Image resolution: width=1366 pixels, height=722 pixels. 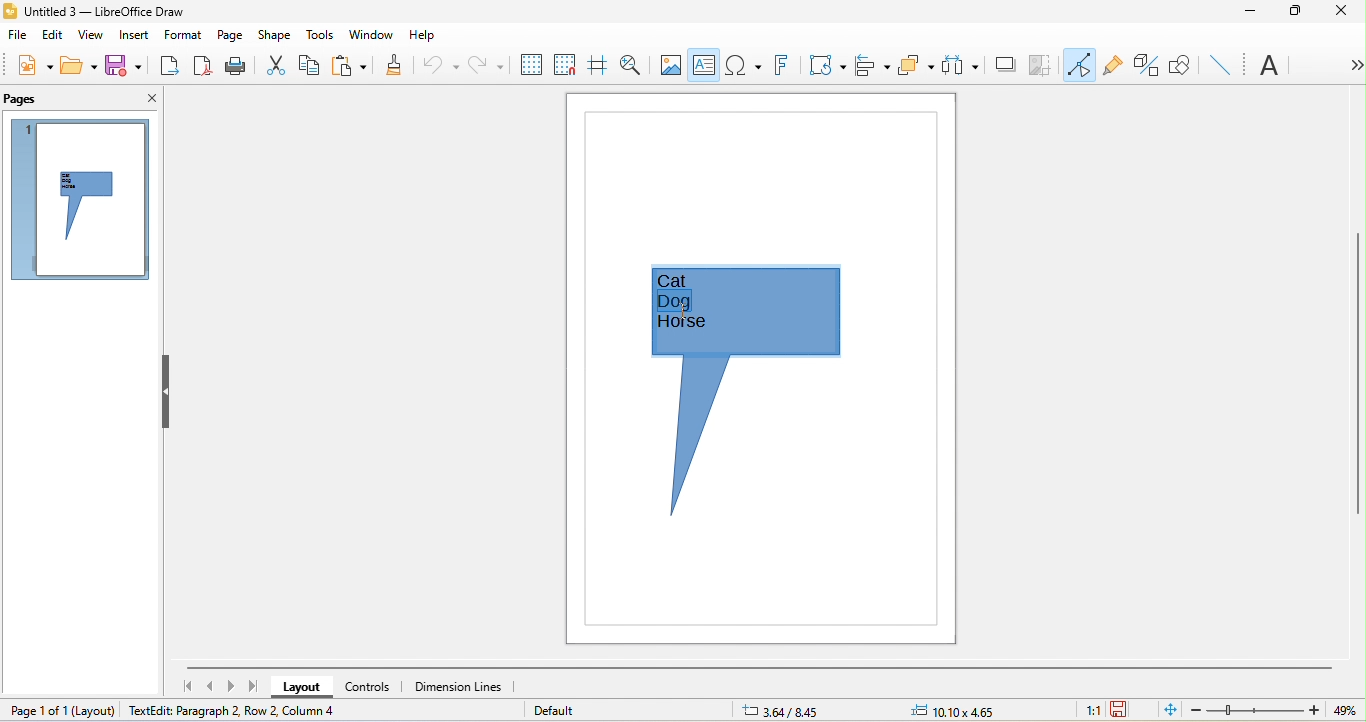 I want to click on close, so click(x=146, y=96).